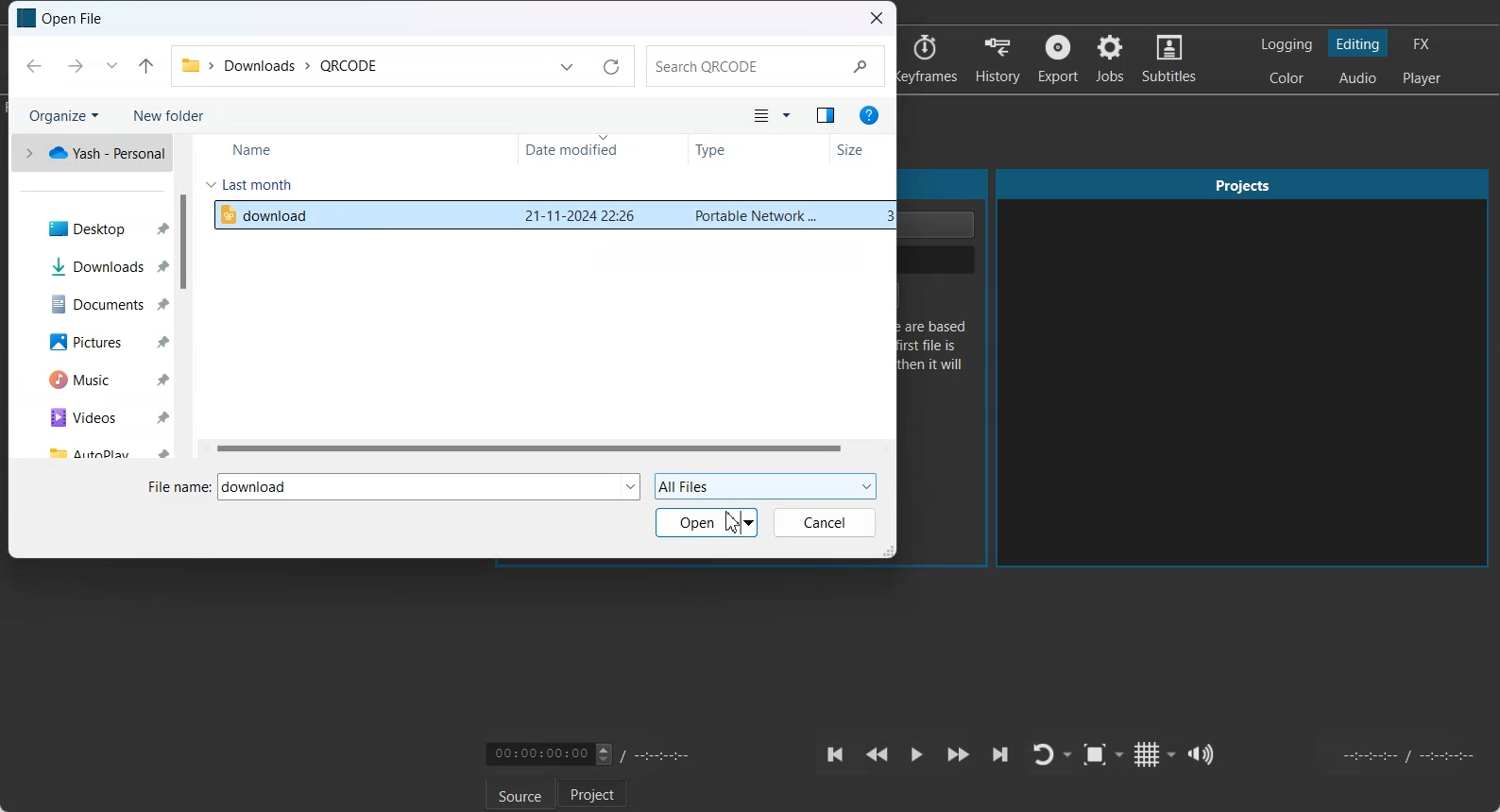 This screenshot has height=812, width=1500. I want to click on Previous Locations, so click(565, 67).